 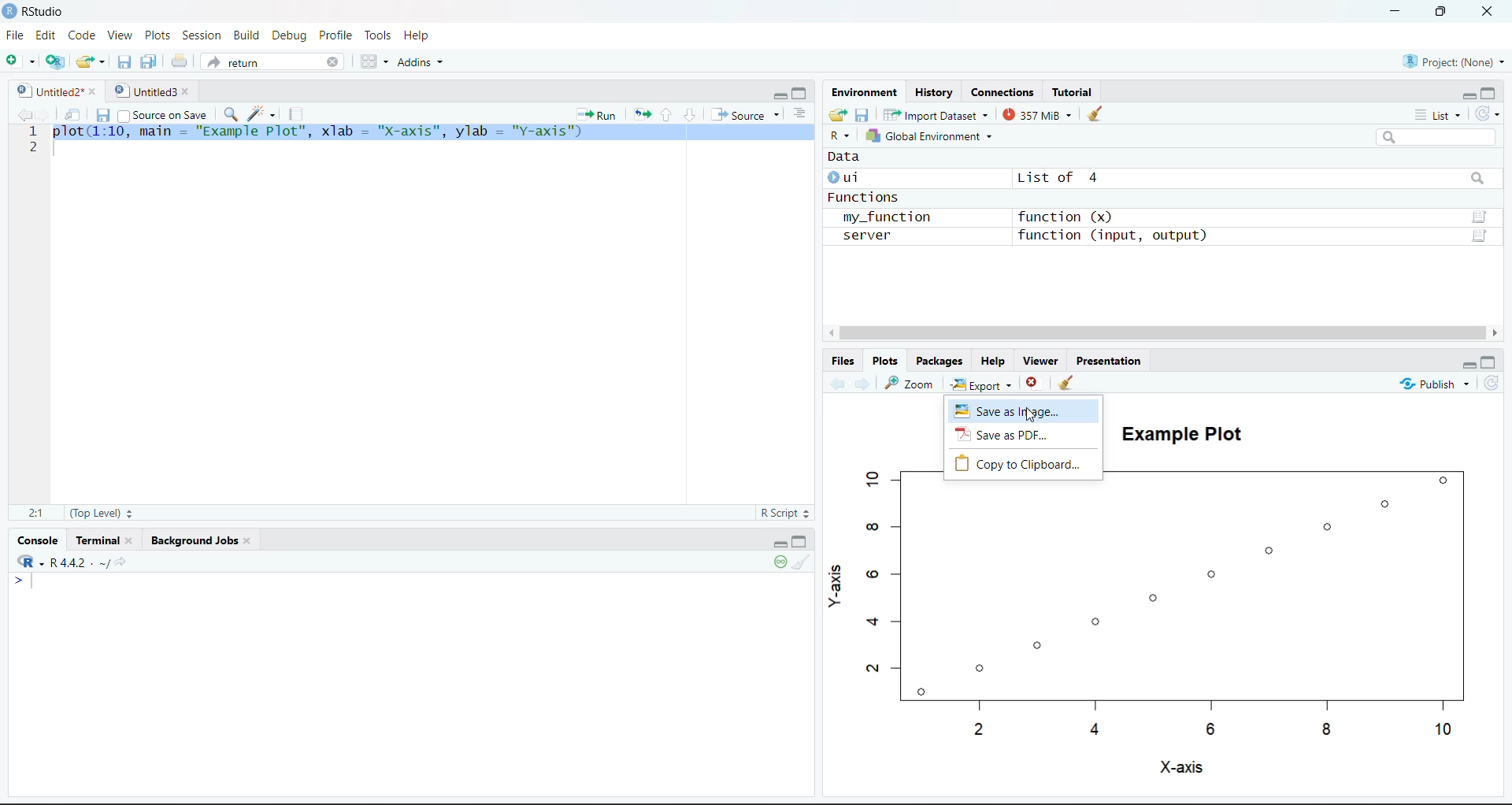 I want to click on Import Dataset, so click(x=934, y=114).